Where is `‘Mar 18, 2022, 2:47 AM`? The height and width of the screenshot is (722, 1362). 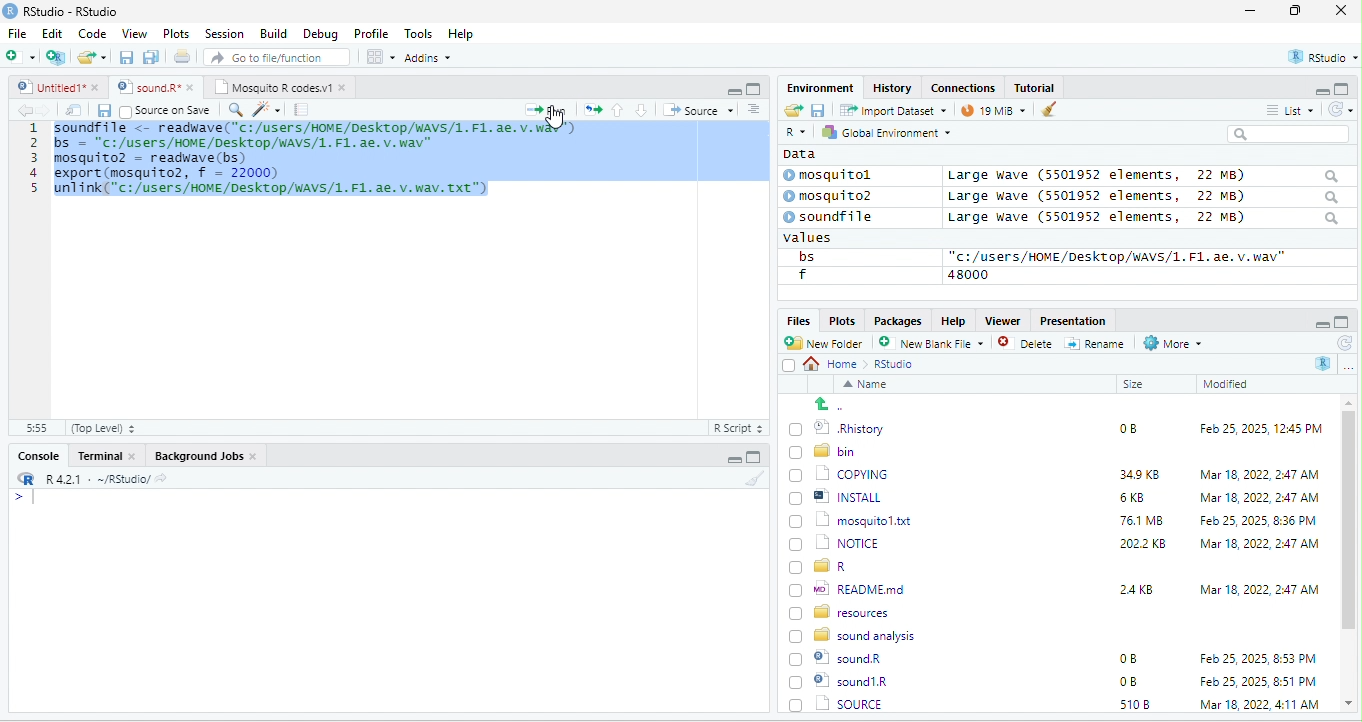
‘Mar 18, 2022, 2:47 AM is located at coordinates (1258, 544).